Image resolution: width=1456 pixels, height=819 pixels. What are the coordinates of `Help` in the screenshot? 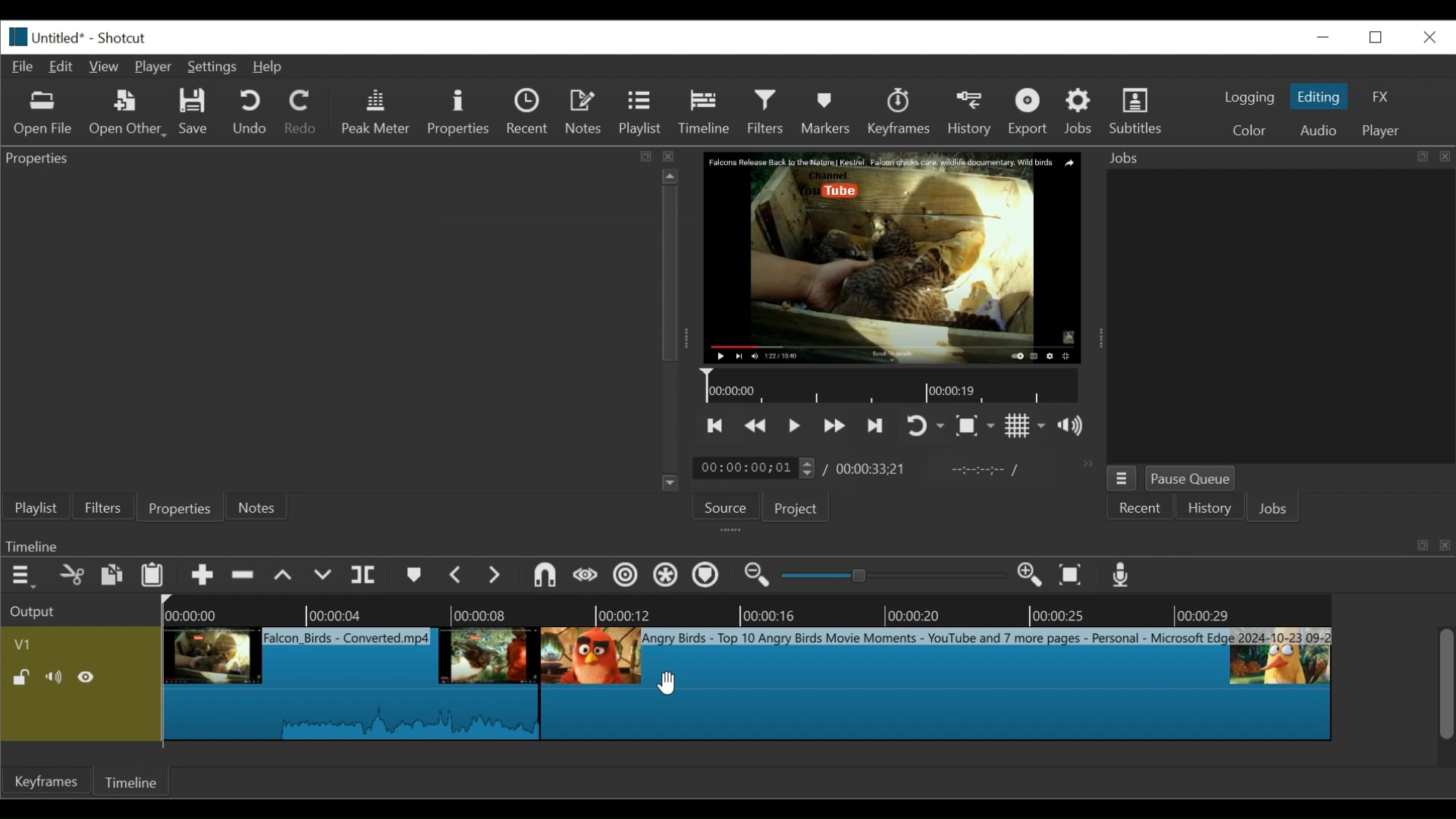 It's located at (269, 67).